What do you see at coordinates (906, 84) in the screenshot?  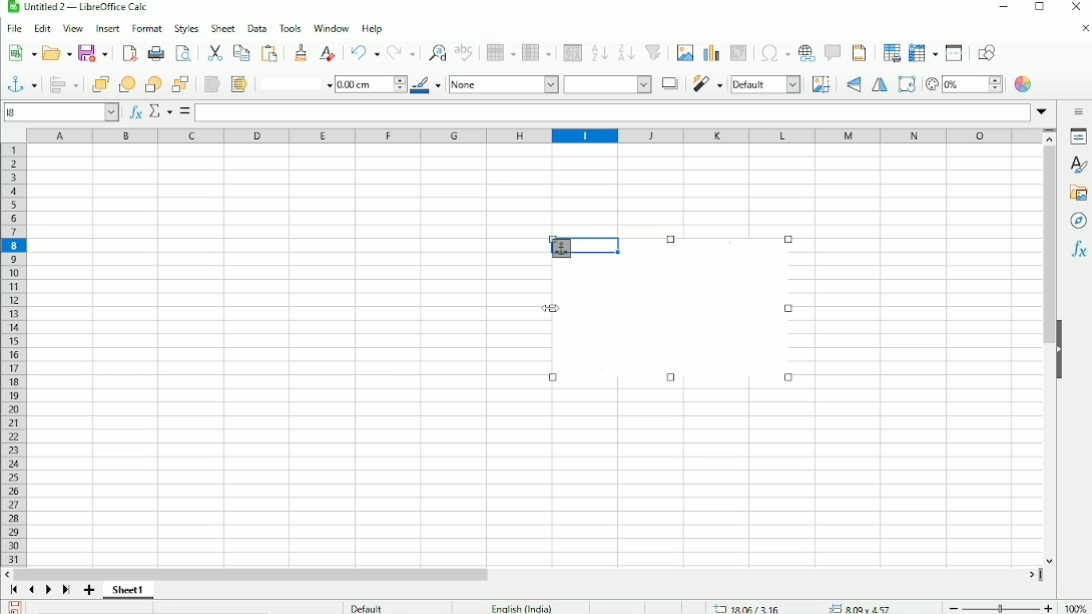 I see `Rotate` at bounding box center [906, 84].